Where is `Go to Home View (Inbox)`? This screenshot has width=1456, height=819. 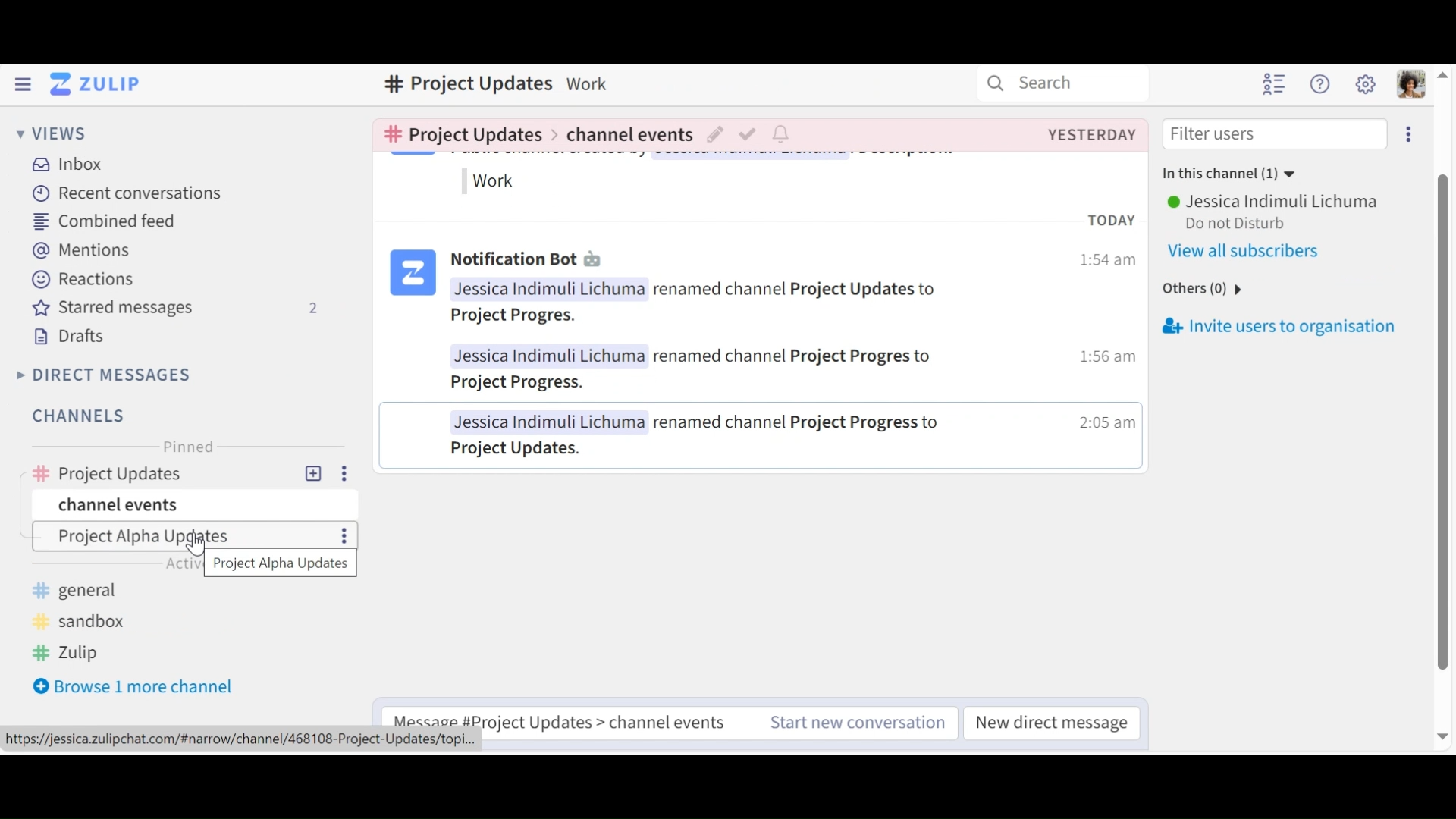 Go to Home View (Inbox) is located at coordinates (96, 84).